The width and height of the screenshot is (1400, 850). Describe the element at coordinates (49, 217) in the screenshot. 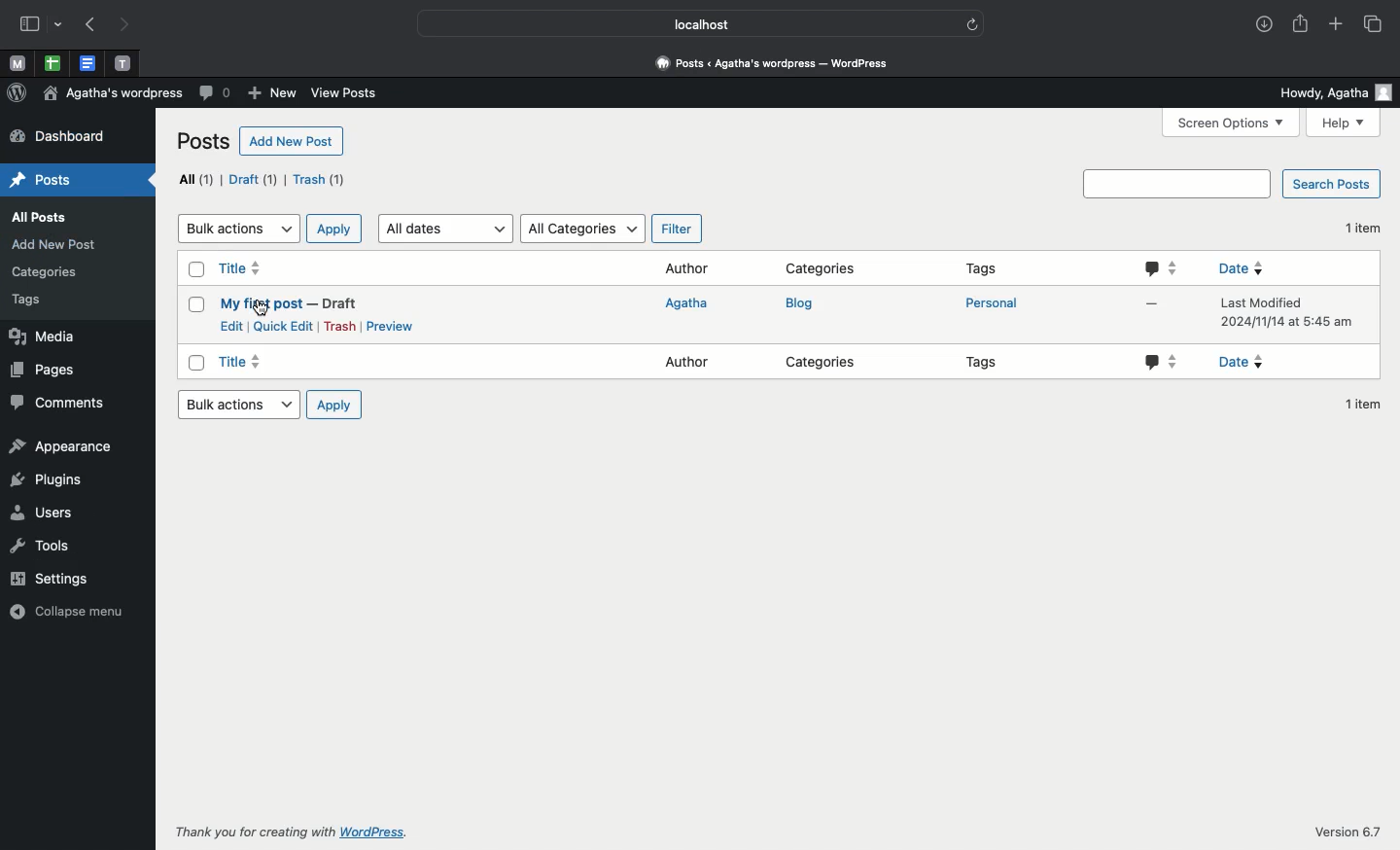

I see `All posts` at that location.